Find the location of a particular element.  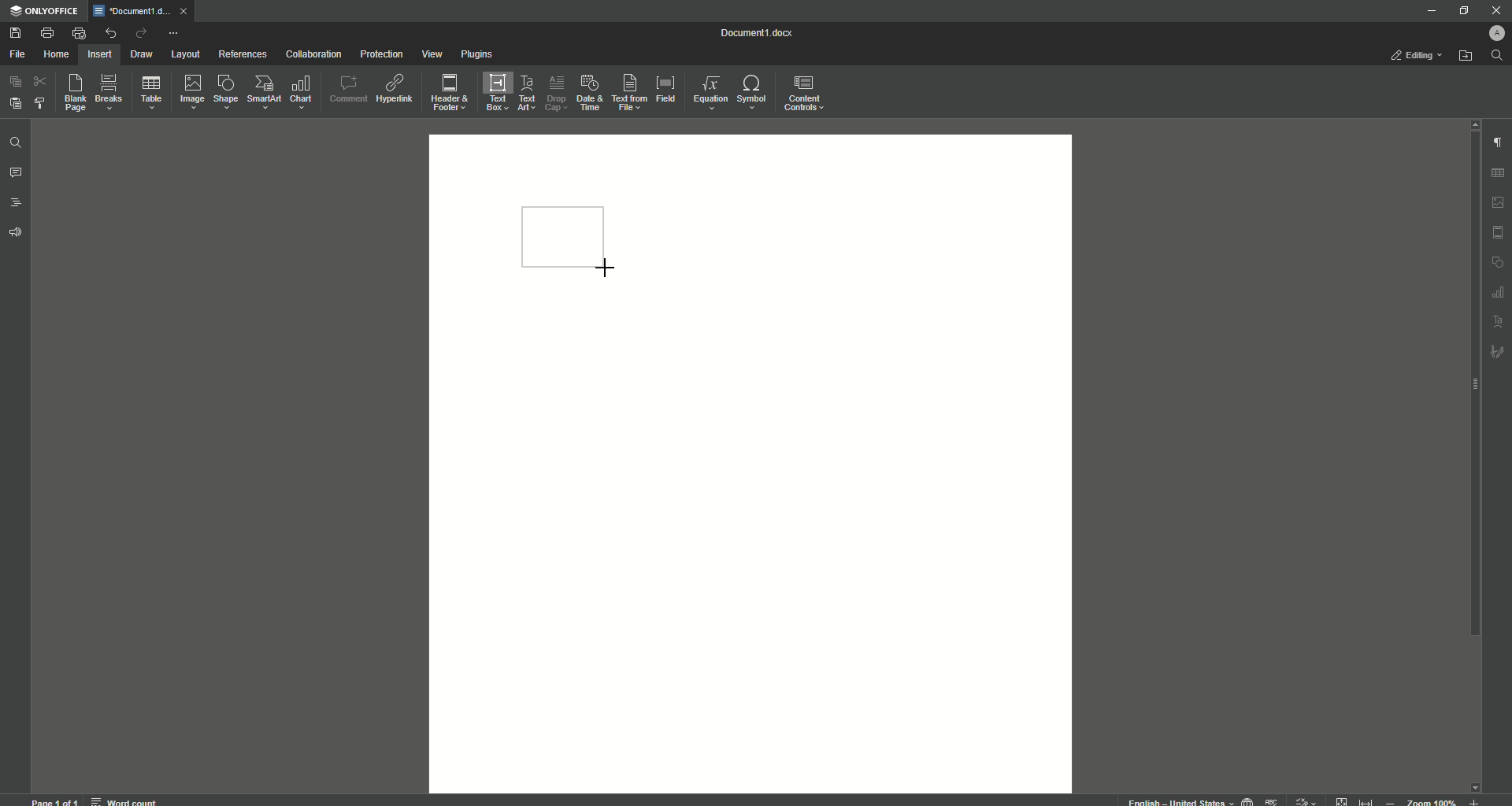

Paste is located at coordinates (14, 102).